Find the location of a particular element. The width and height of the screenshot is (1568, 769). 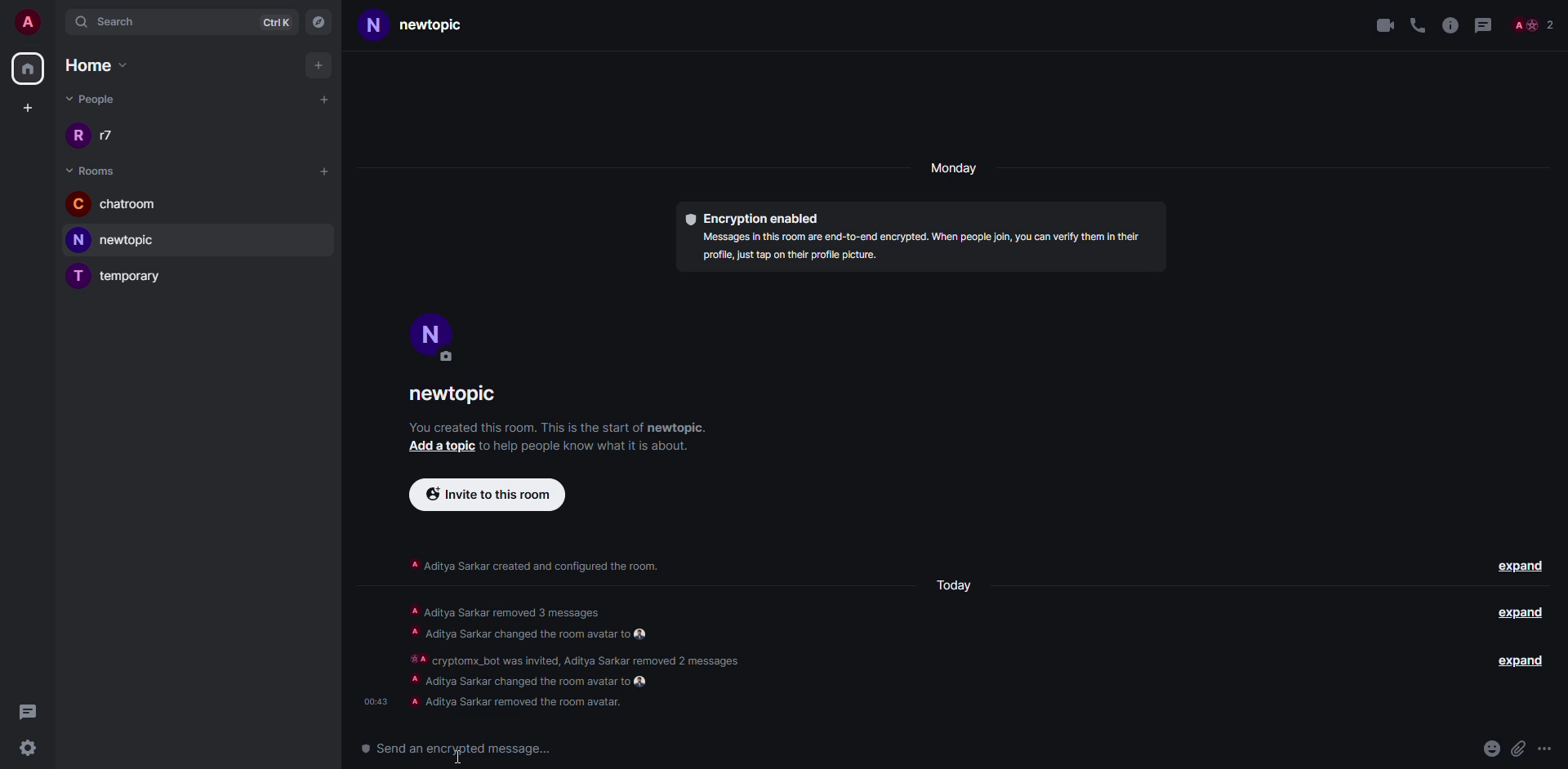

day is located at coordinates (956, 170).